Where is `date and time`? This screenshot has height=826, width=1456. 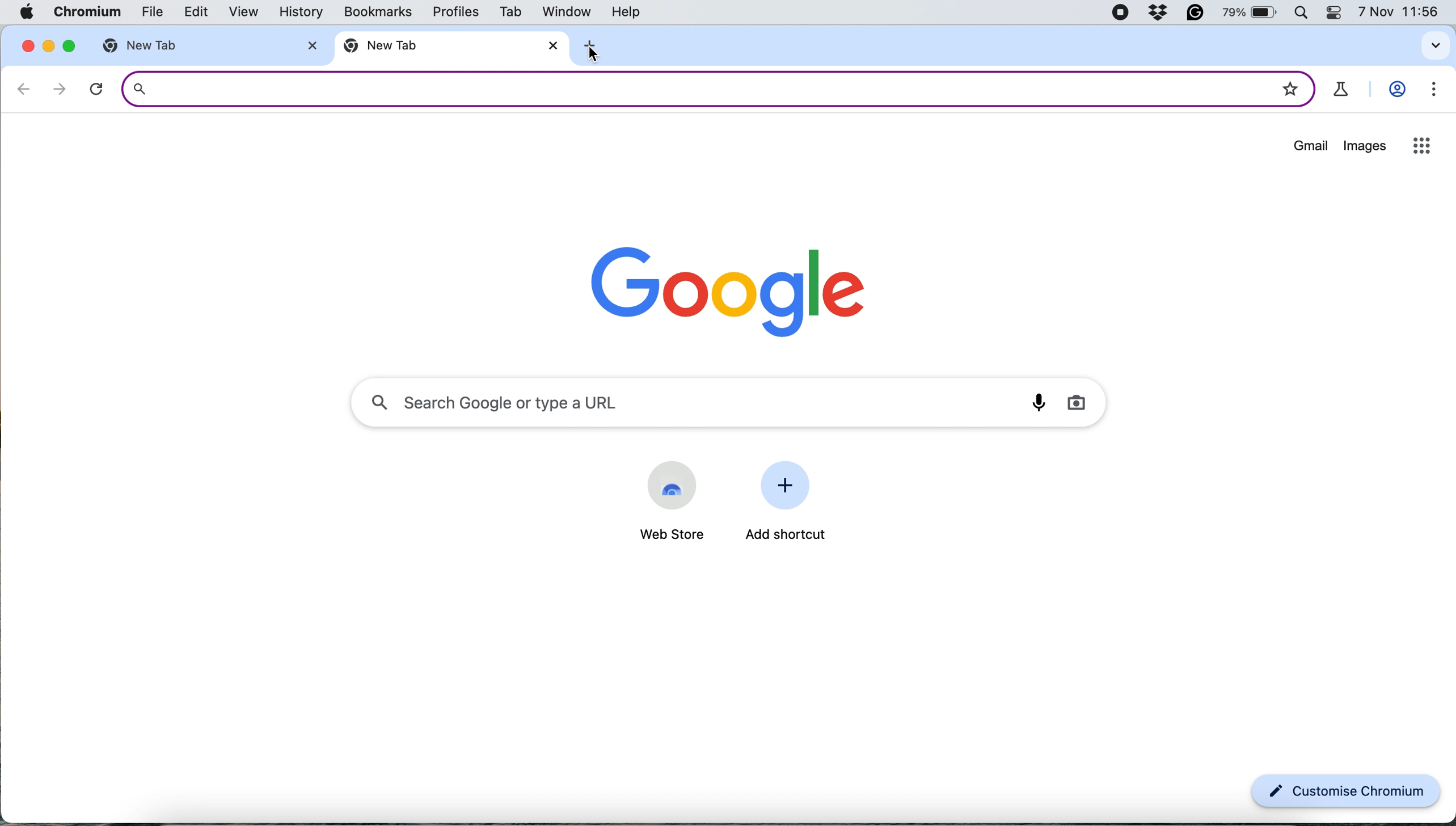 date and time is located at coordinates (1399, 13).